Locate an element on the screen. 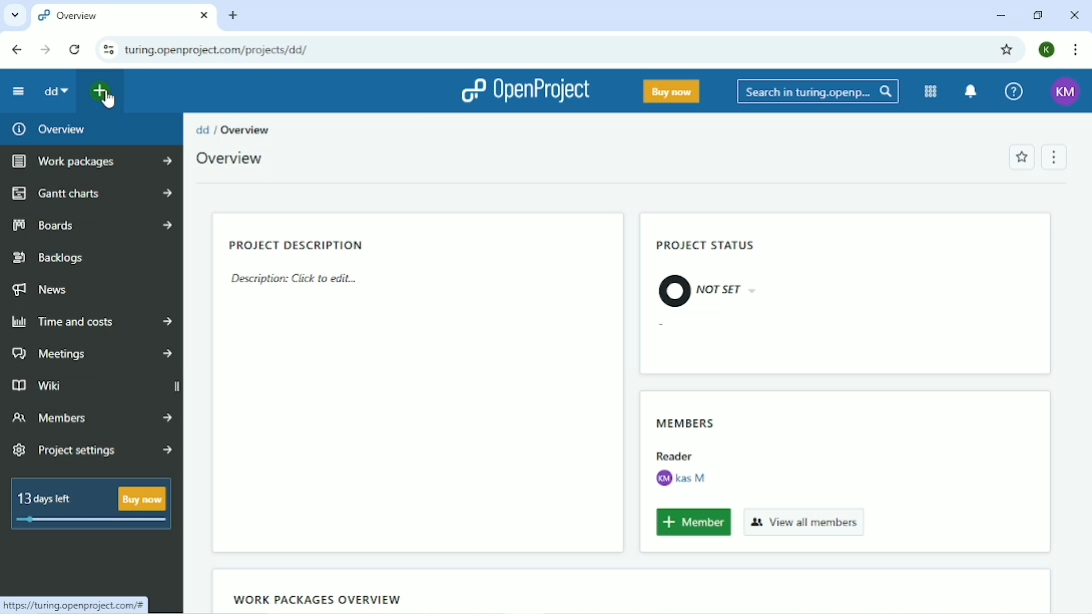  dd is located at coordinates (53, 96).